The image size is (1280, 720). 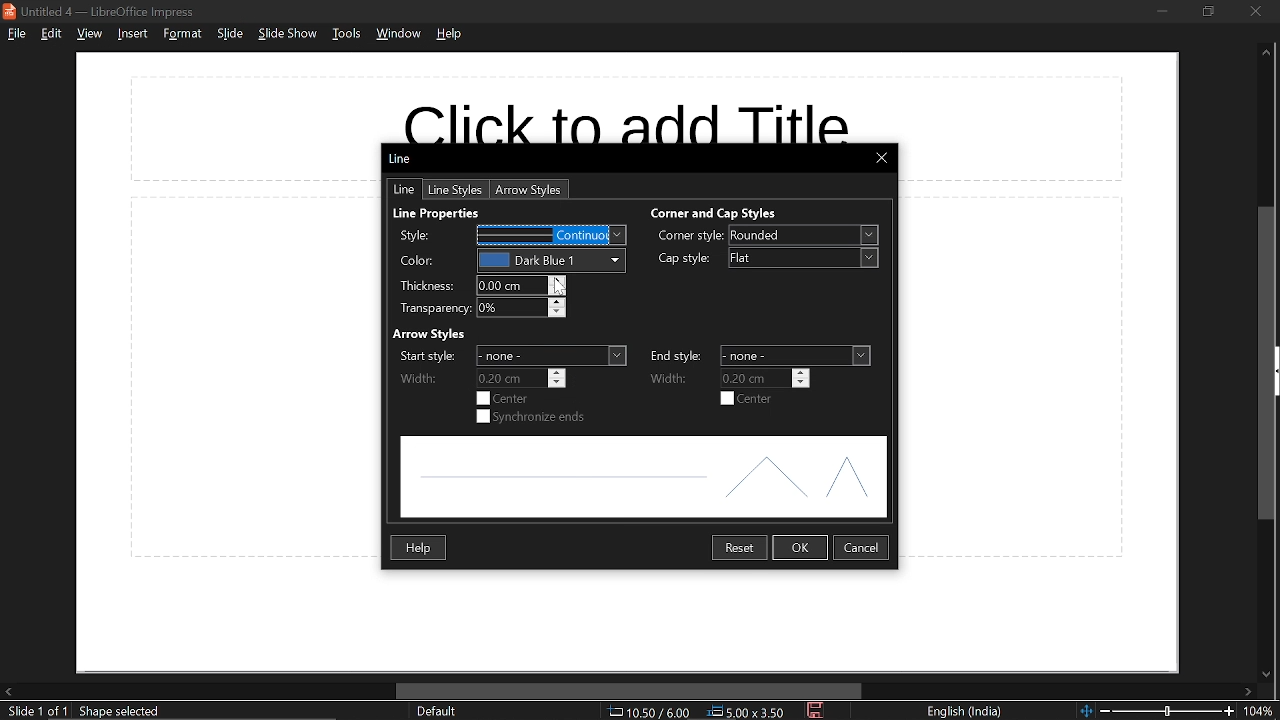 I want to click on move up, so click(x=1266, y=53).